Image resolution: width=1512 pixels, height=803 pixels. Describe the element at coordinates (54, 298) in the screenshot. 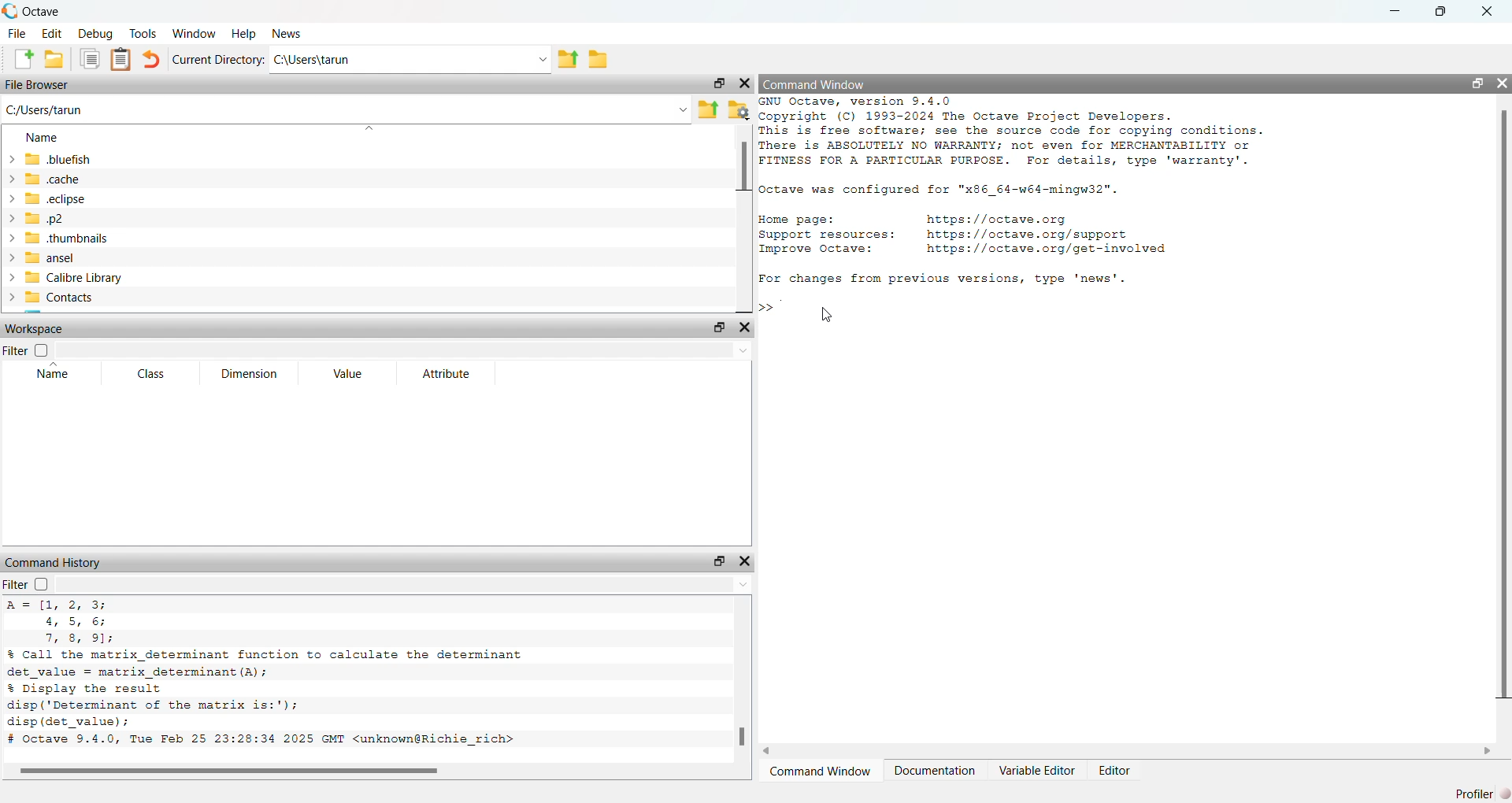

I see `contacts` at that location.